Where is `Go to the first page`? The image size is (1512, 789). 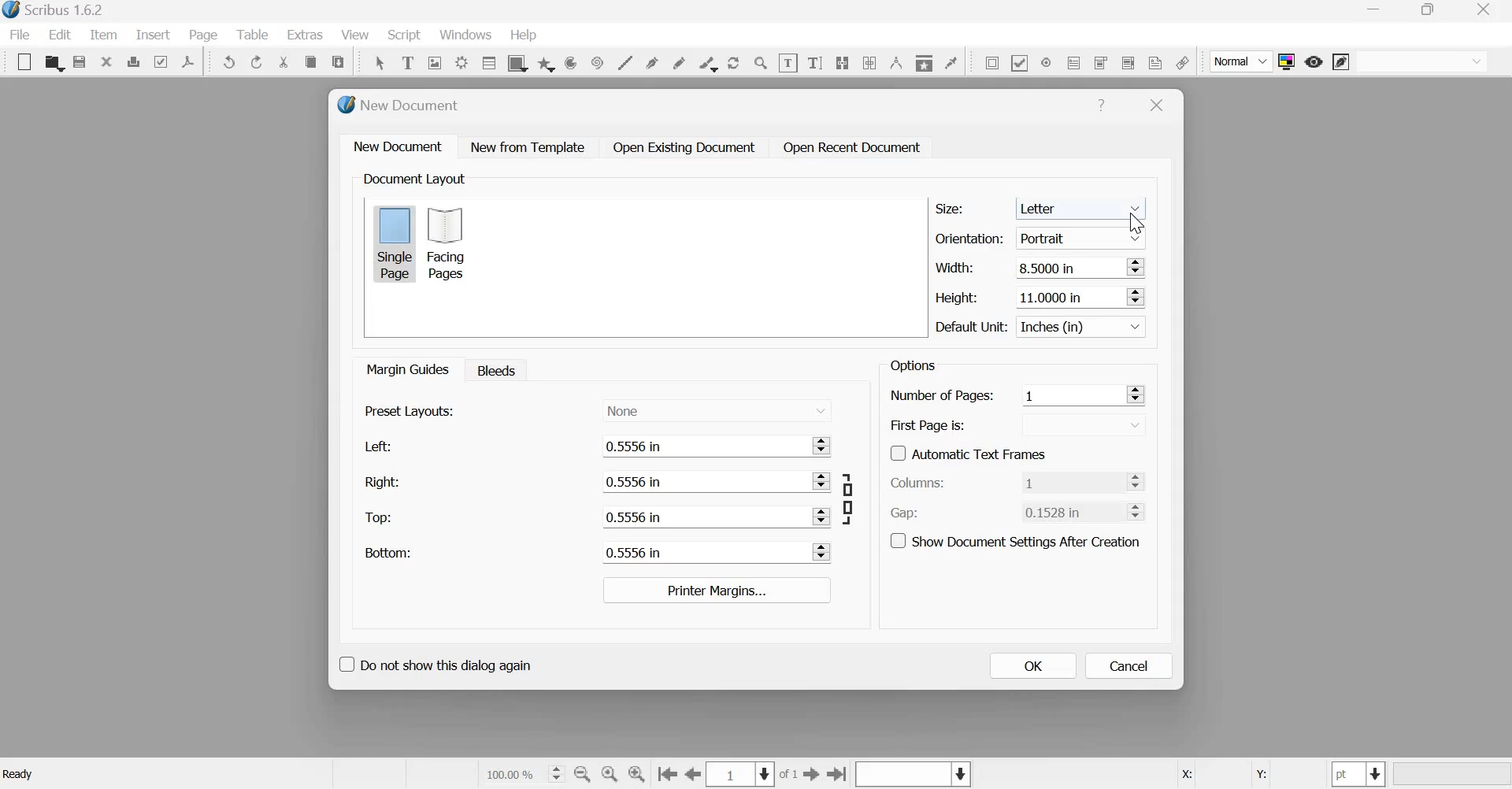
Go to the first page is located at coordinates (667, 775).